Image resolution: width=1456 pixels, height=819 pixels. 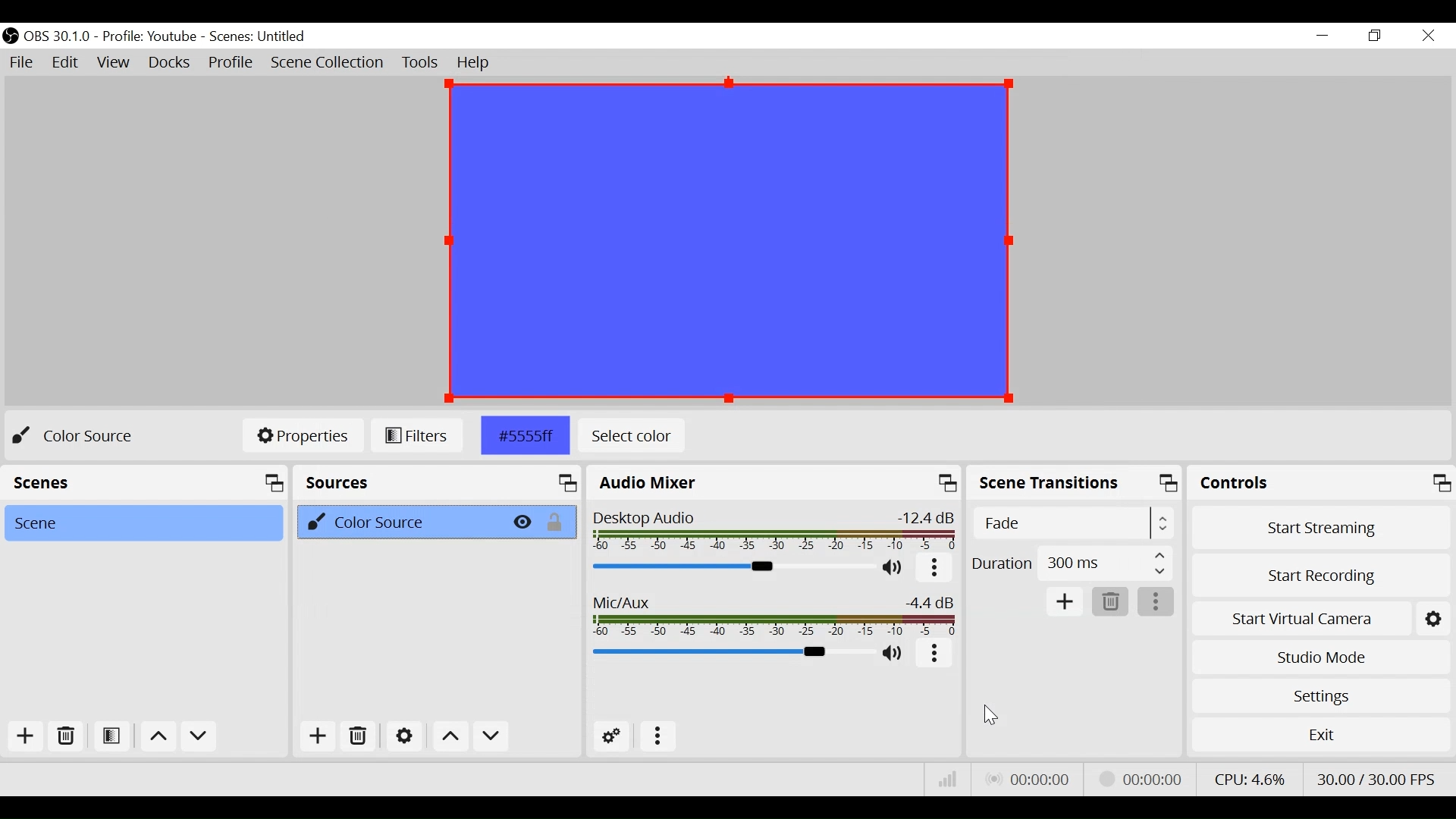 I want to click on more options, so click(x=936, y=569).